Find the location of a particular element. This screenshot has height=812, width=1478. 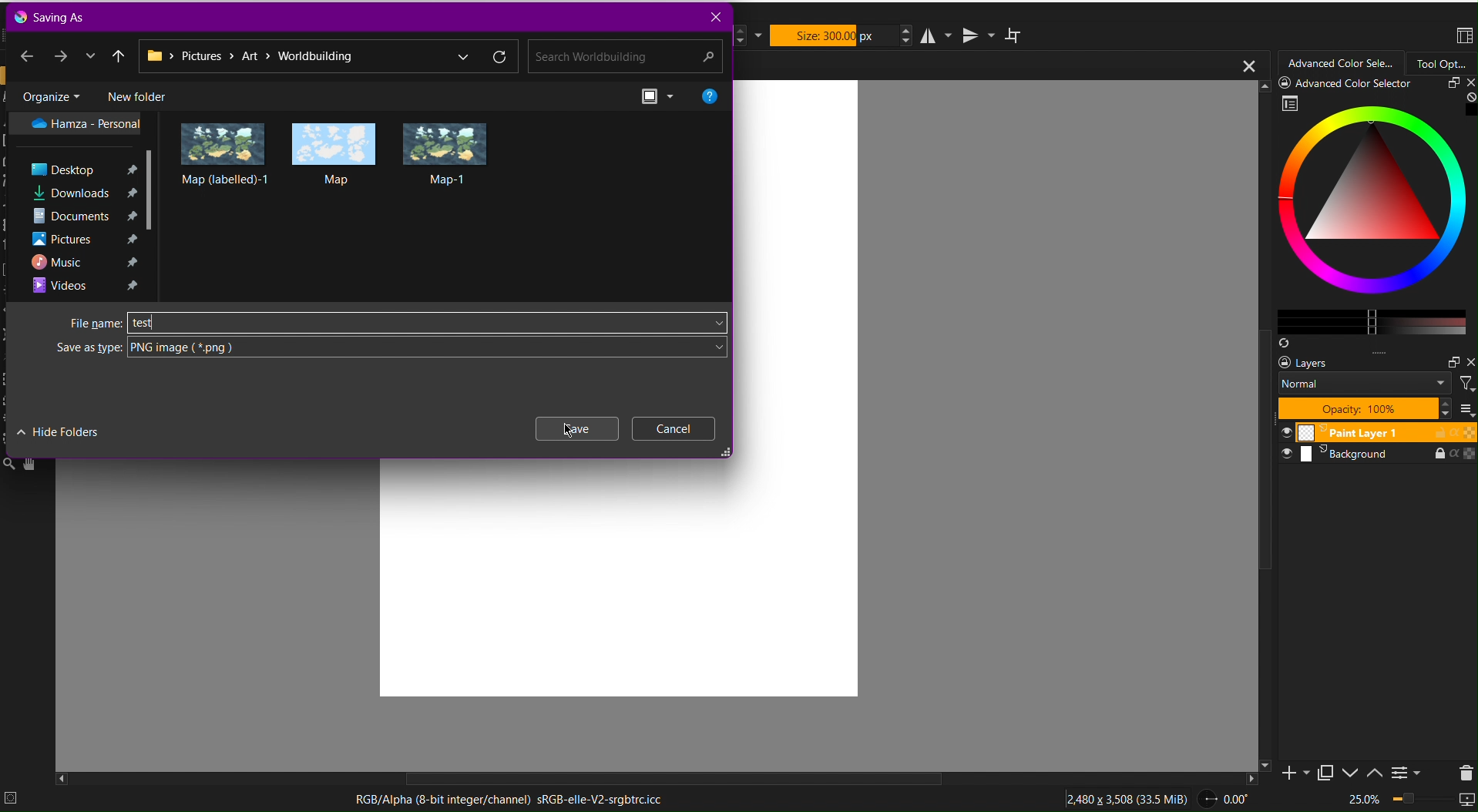

Wraparound is located at coordinates (1015, 35).